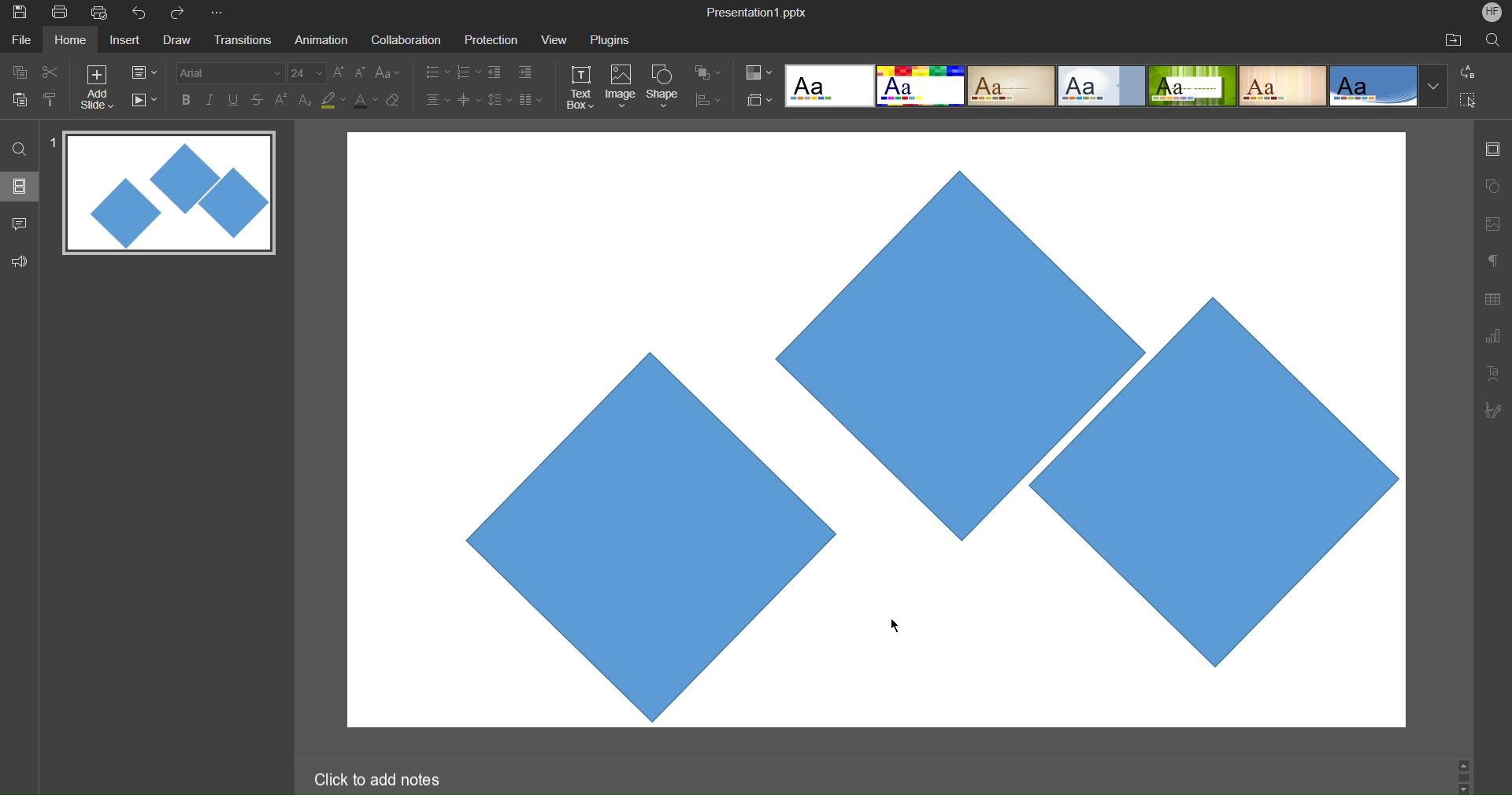 This screenshot has width=1512, height=795. I want to click on Image Settings, so click(1490, 224).